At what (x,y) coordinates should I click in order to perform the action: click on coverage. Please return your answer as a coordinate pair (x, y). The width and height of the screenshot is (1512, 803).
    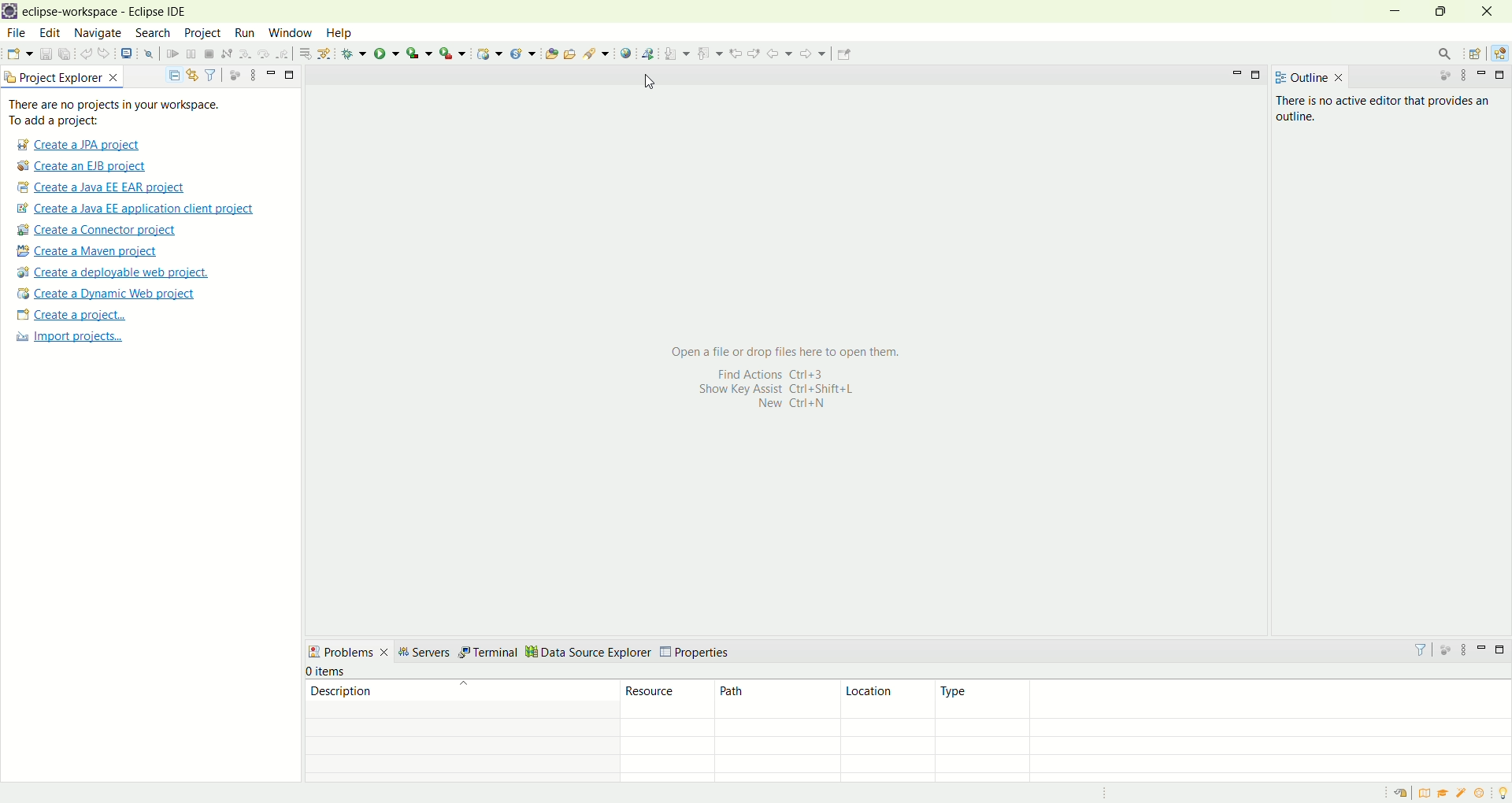
    Looking at the image, I should click on (419, 53).